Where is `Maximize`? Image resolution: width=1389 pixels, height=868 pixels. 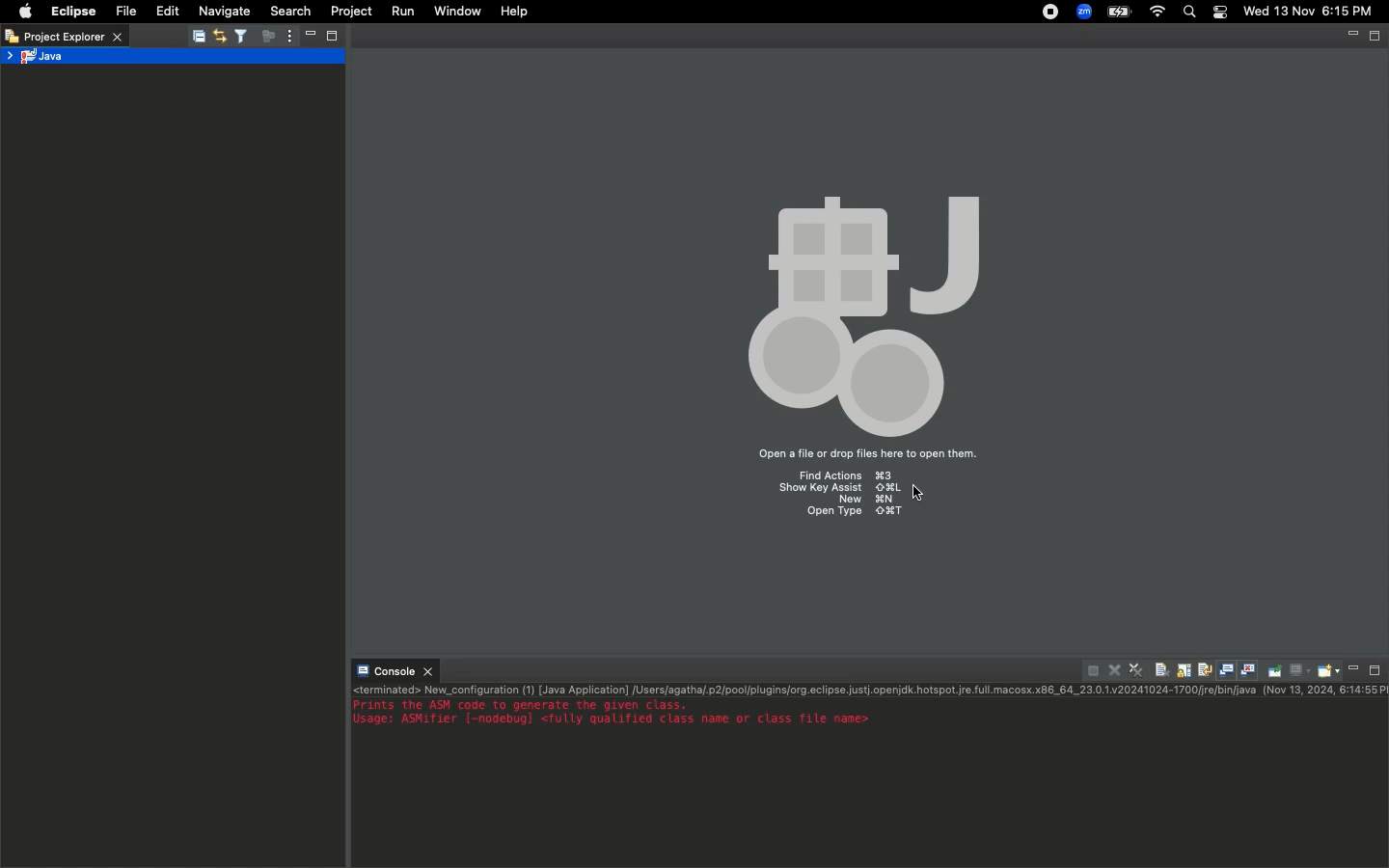
Maximize is located at coordinates (1378, 670).